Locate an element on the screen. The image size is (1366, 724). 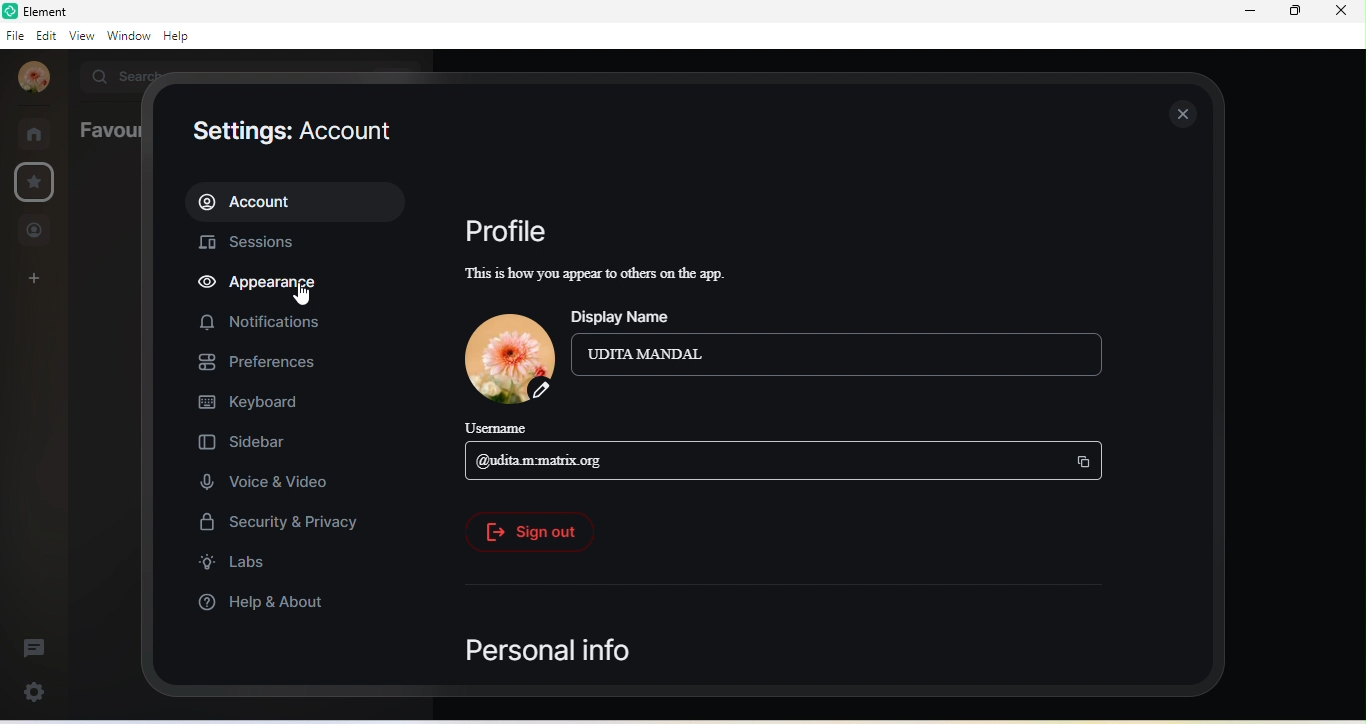
notifications is located at coordinates (260, 325).